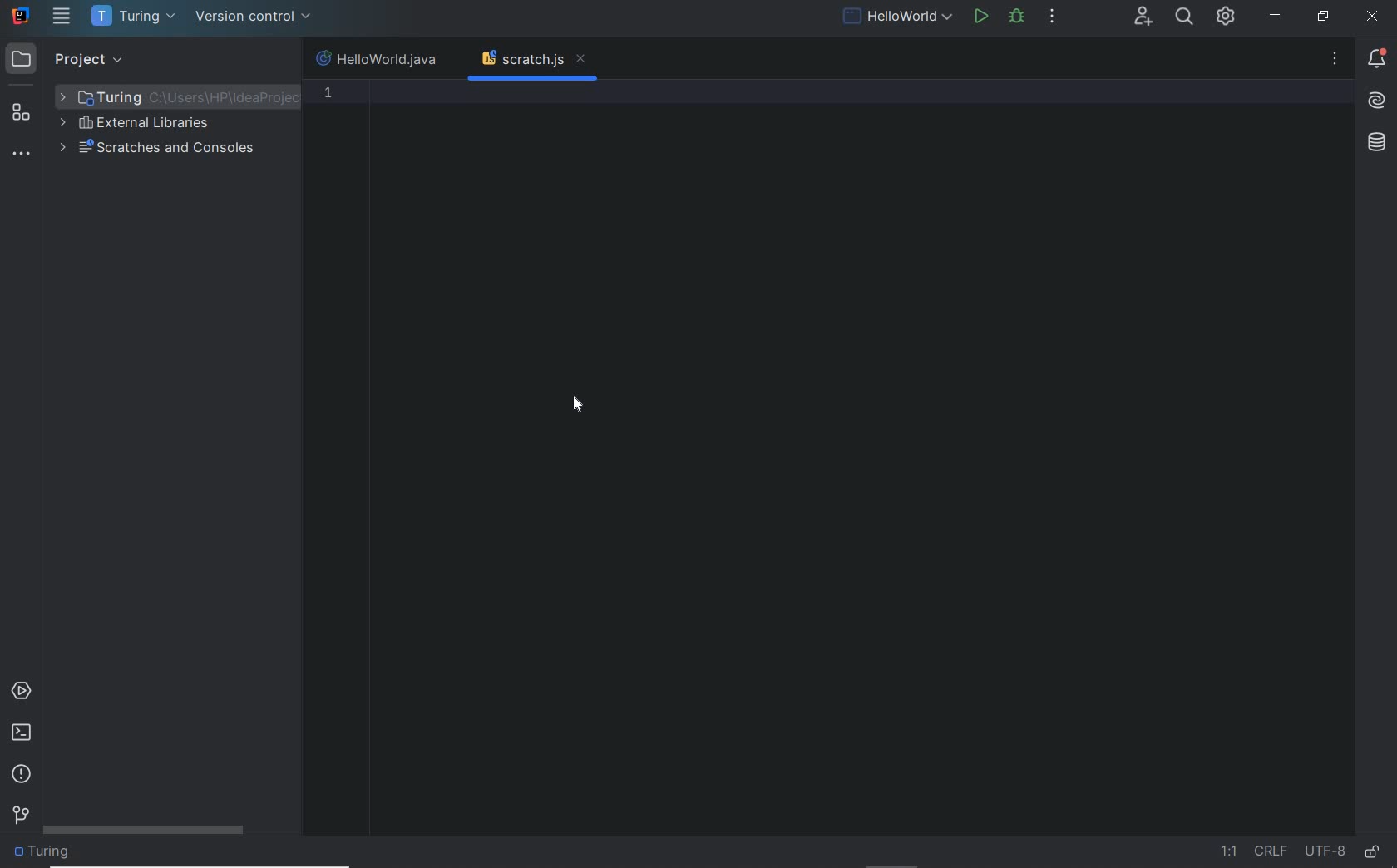 This screenshot has height=868, width=1397. Describe the element at coordinates (1272, 851) in the screenshot. I see `line separator` at that location.